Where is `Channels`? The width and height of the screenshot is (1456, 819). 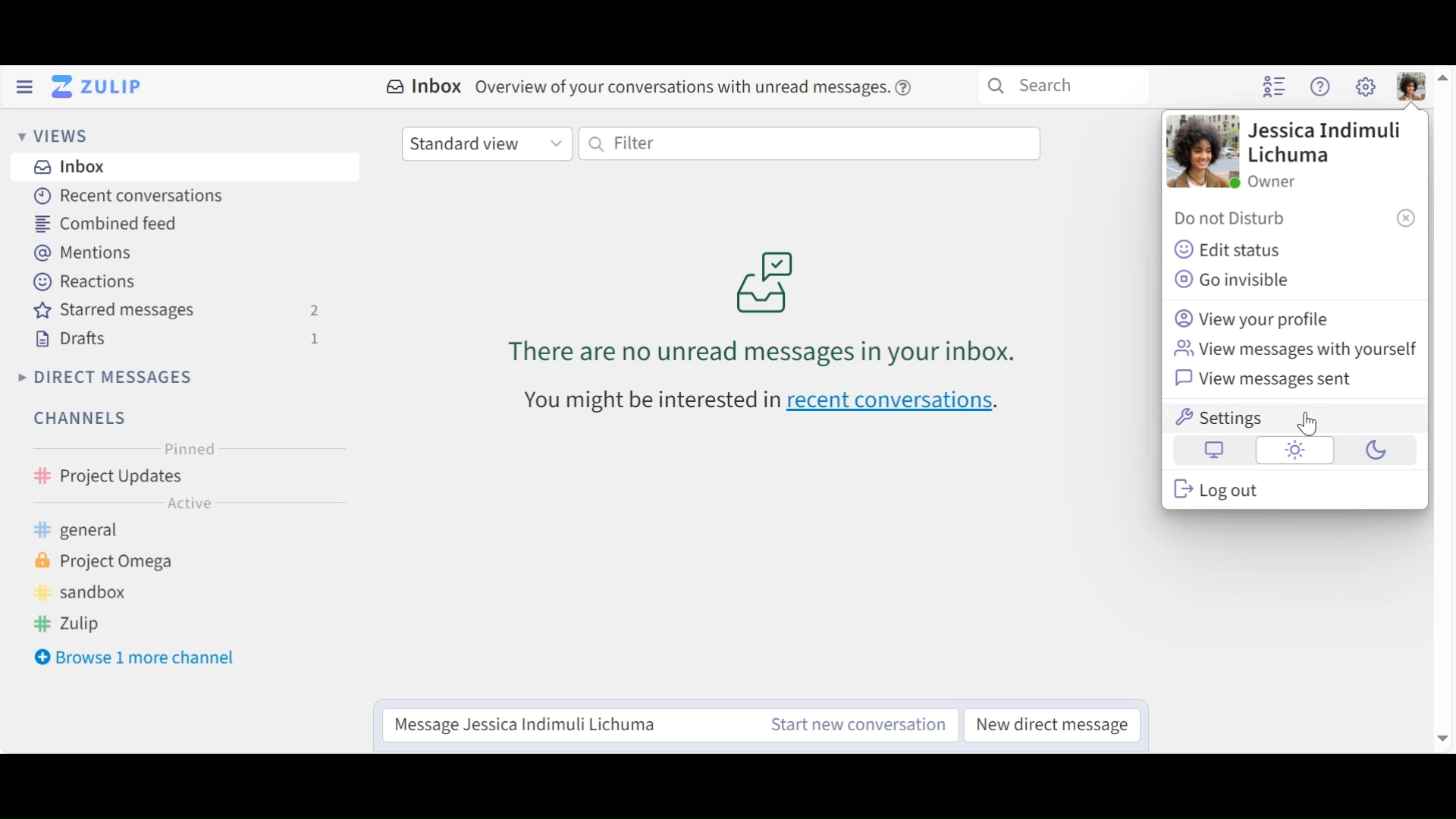 Channels is located at coordinates (86, 419).